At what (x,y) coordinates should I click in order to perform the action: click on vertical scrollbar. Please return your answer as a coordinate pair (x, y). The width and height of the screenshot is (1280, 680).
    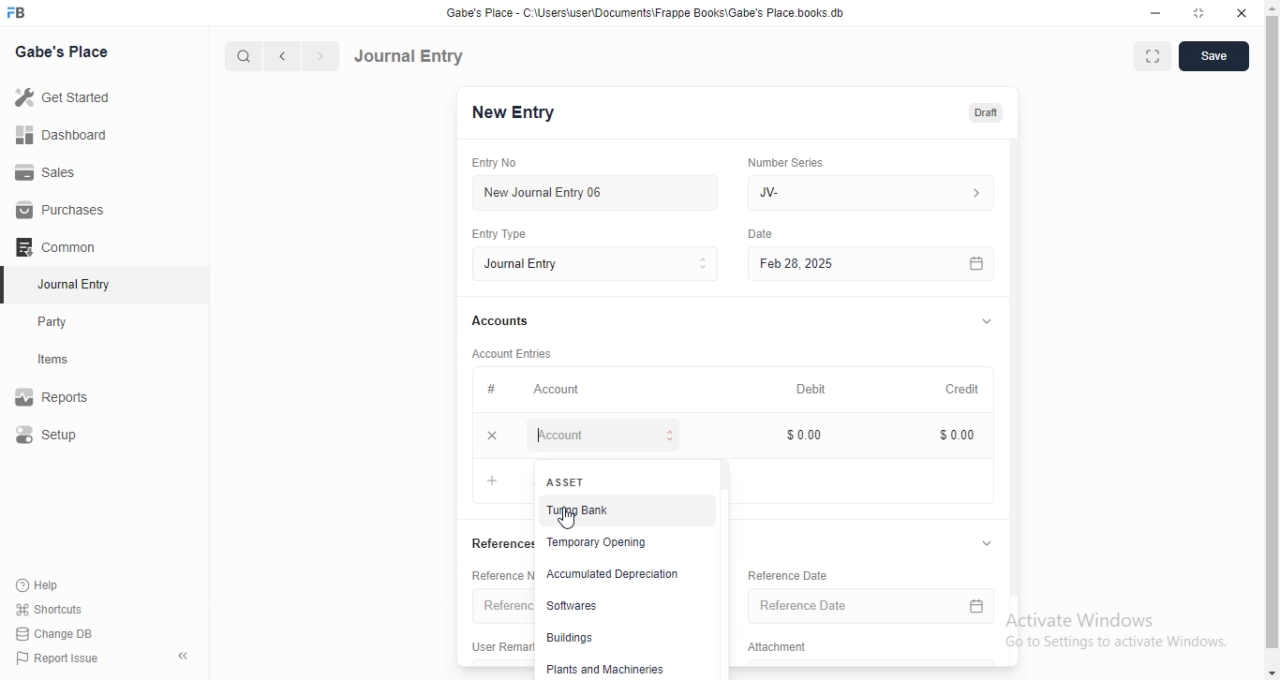
    Looking at the image, I should click on (726, 475).